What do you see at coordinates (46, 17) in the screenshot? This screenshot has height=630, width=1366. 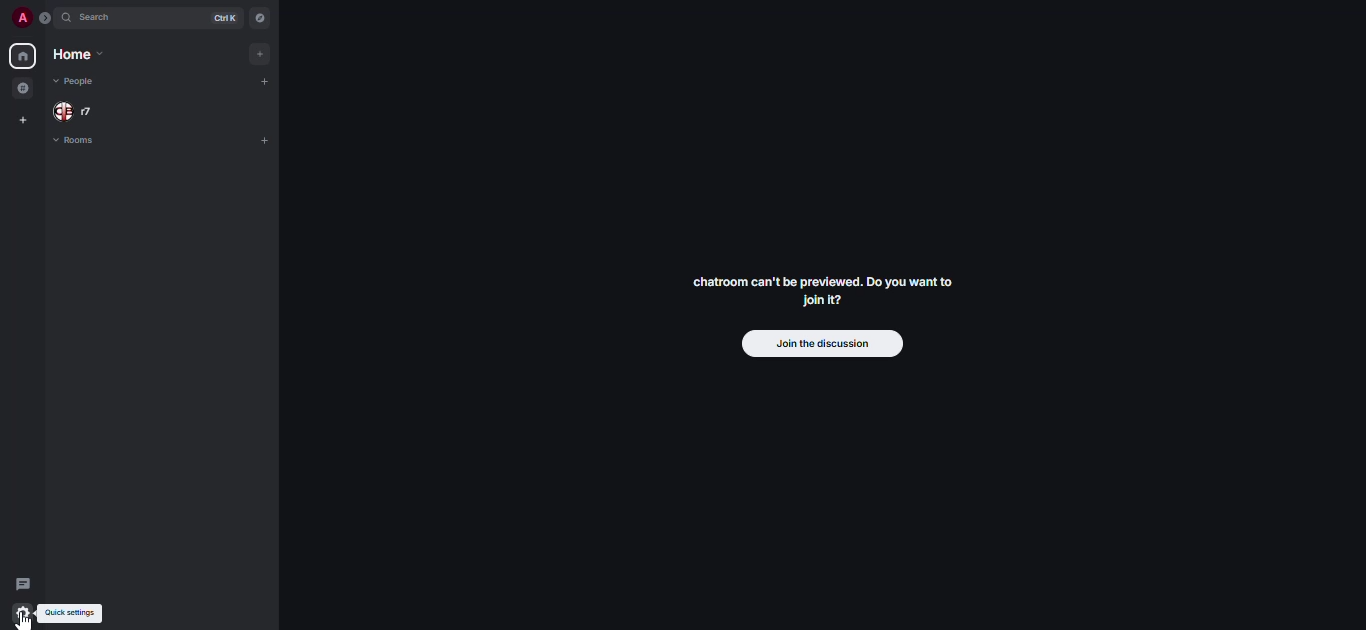 I see `expand` at bounding box center [46, 17].